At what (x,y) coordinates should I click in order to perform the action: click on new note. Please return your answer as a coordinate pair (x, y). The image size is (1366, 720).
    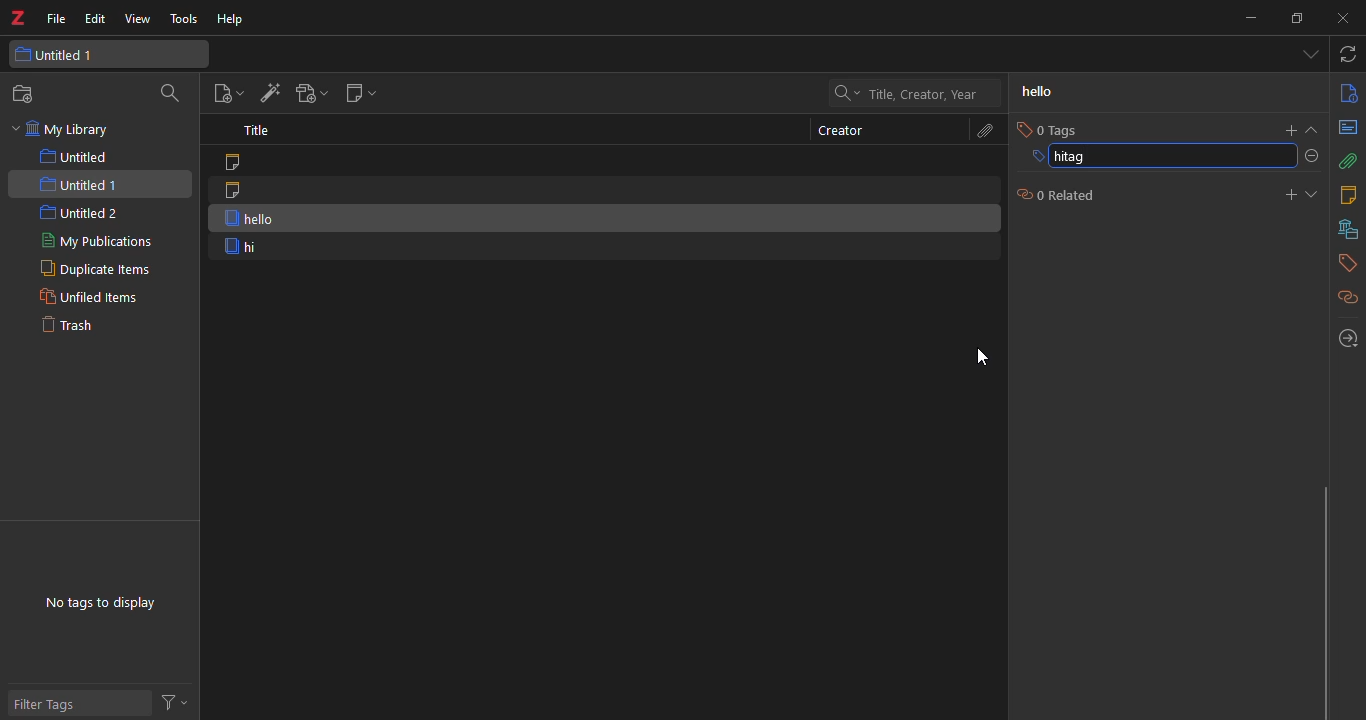
    Looking at the image, I should click on (361, 96).